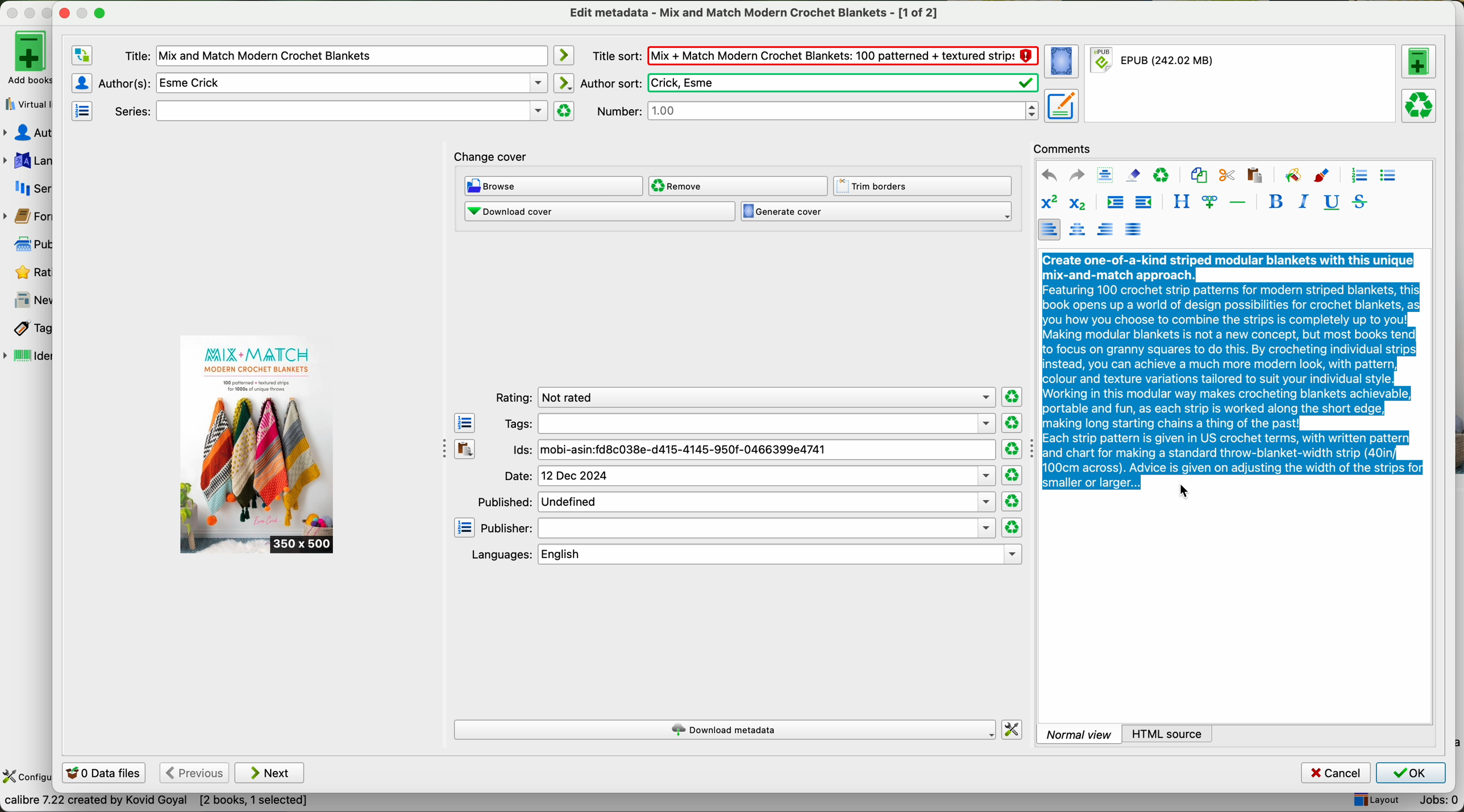 The height and width of the screenshot is (812, 1464). Describe the element at coordinates (328, 111) in the screenshot. I see `series` at that location.